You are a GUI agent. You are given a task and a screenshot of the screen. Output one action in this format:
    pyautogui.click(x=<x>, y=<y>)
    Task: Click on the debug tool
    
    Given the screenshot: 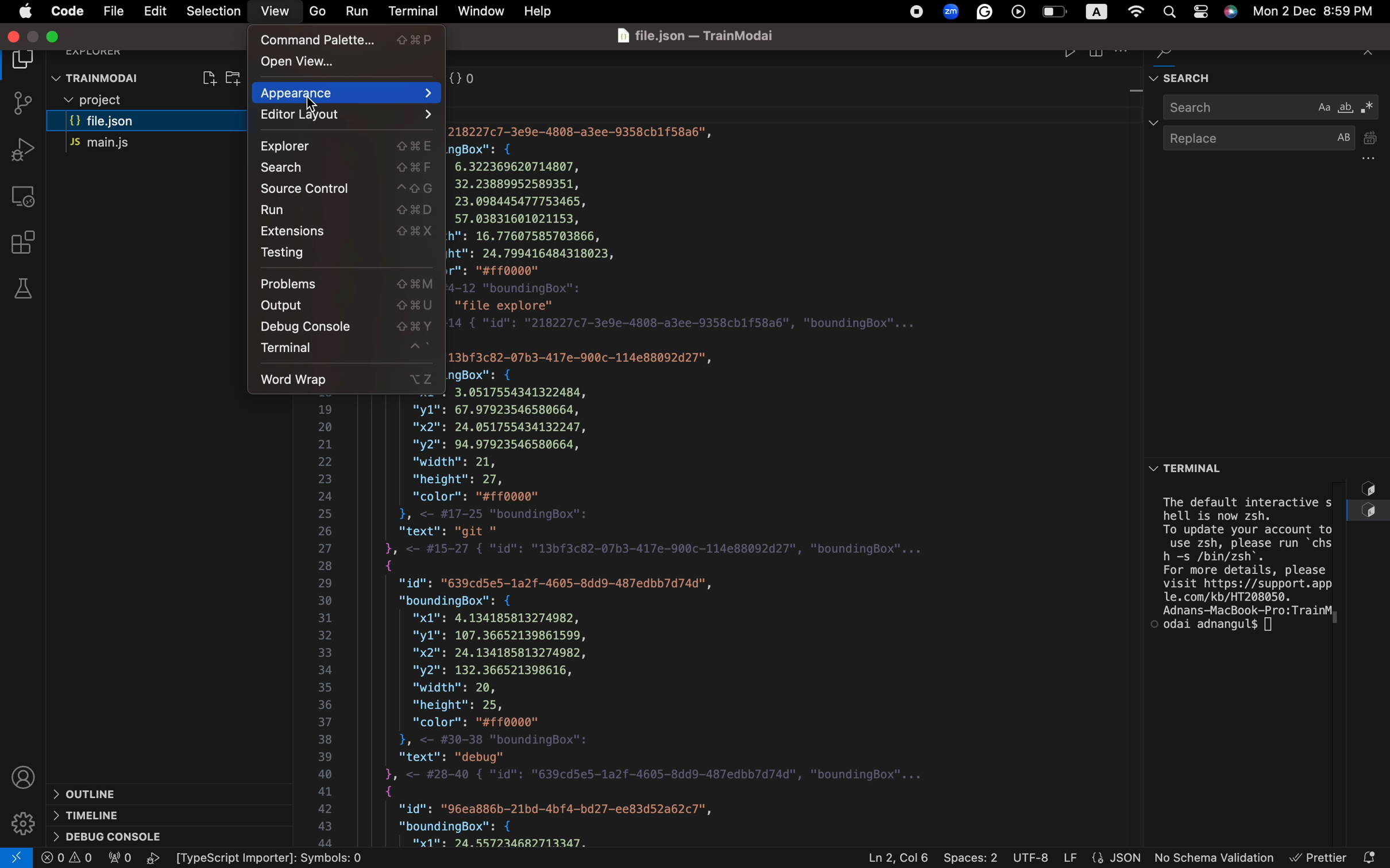 What is the action you would take?
    pyautogui.click(x=21, y=149)
    